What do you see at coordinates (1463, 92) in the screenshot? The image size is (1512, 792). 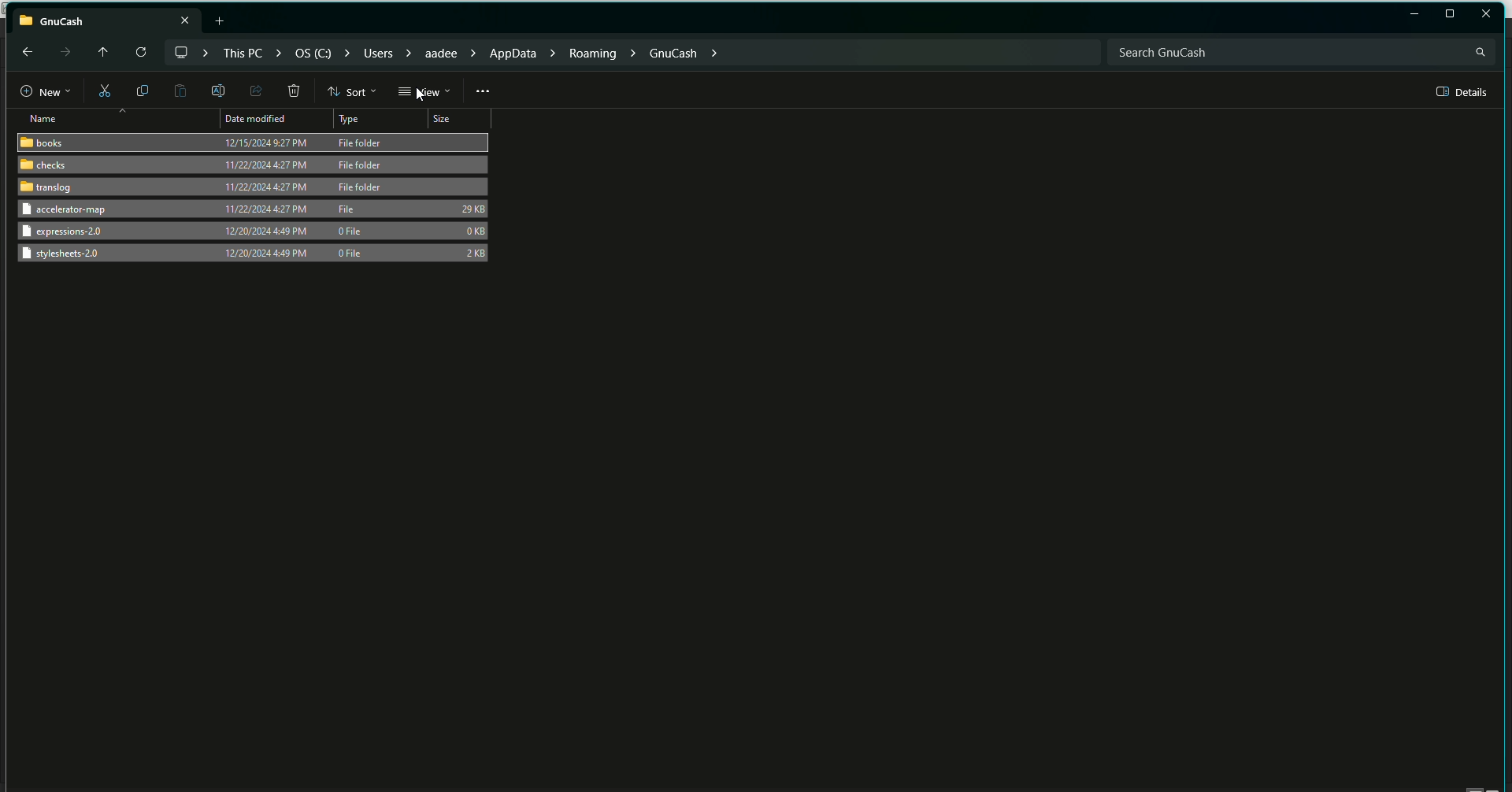 I see `Details` at bounding box center [1463, 92].